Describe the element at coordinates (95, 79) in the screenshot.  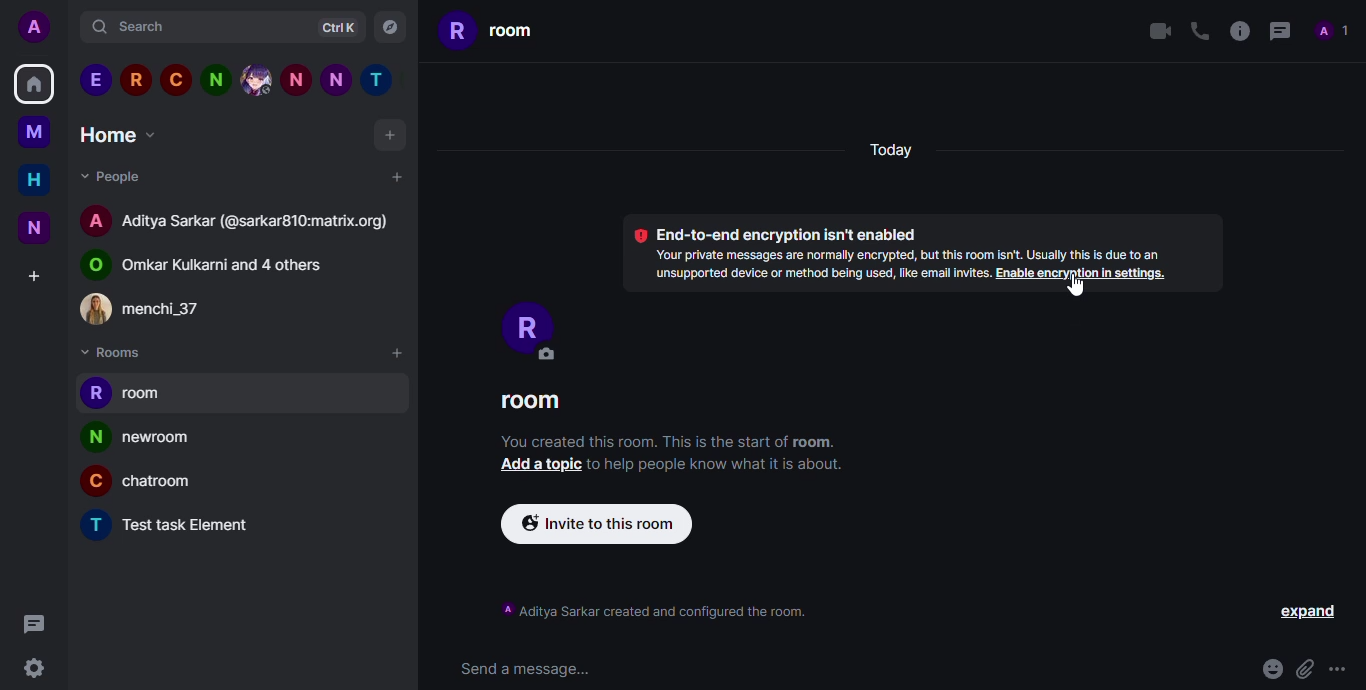
I see `contact shortcut` at that location.